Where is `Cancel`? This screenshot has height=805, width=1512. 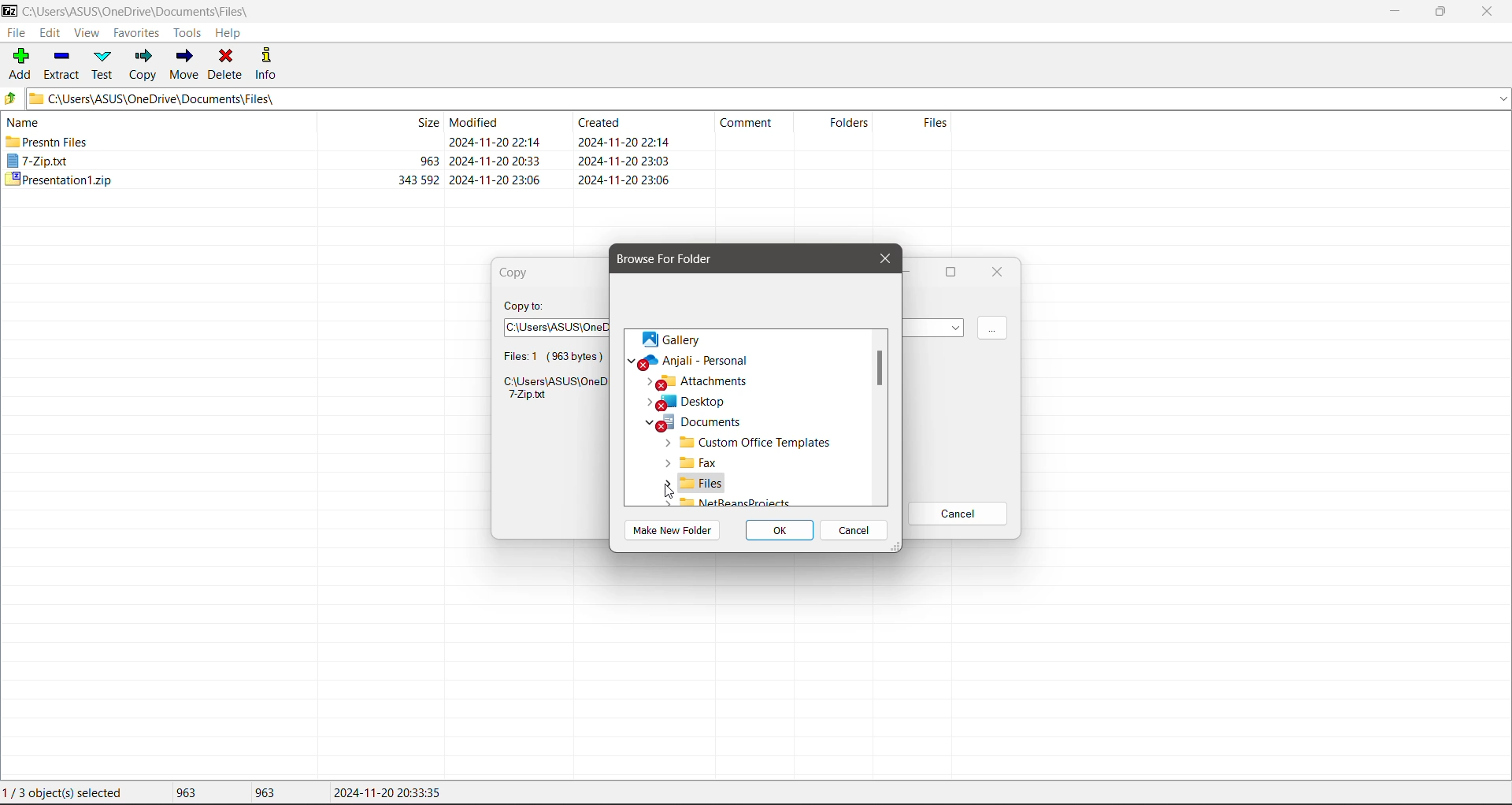
Cancel is located at coordinates (854, 529).